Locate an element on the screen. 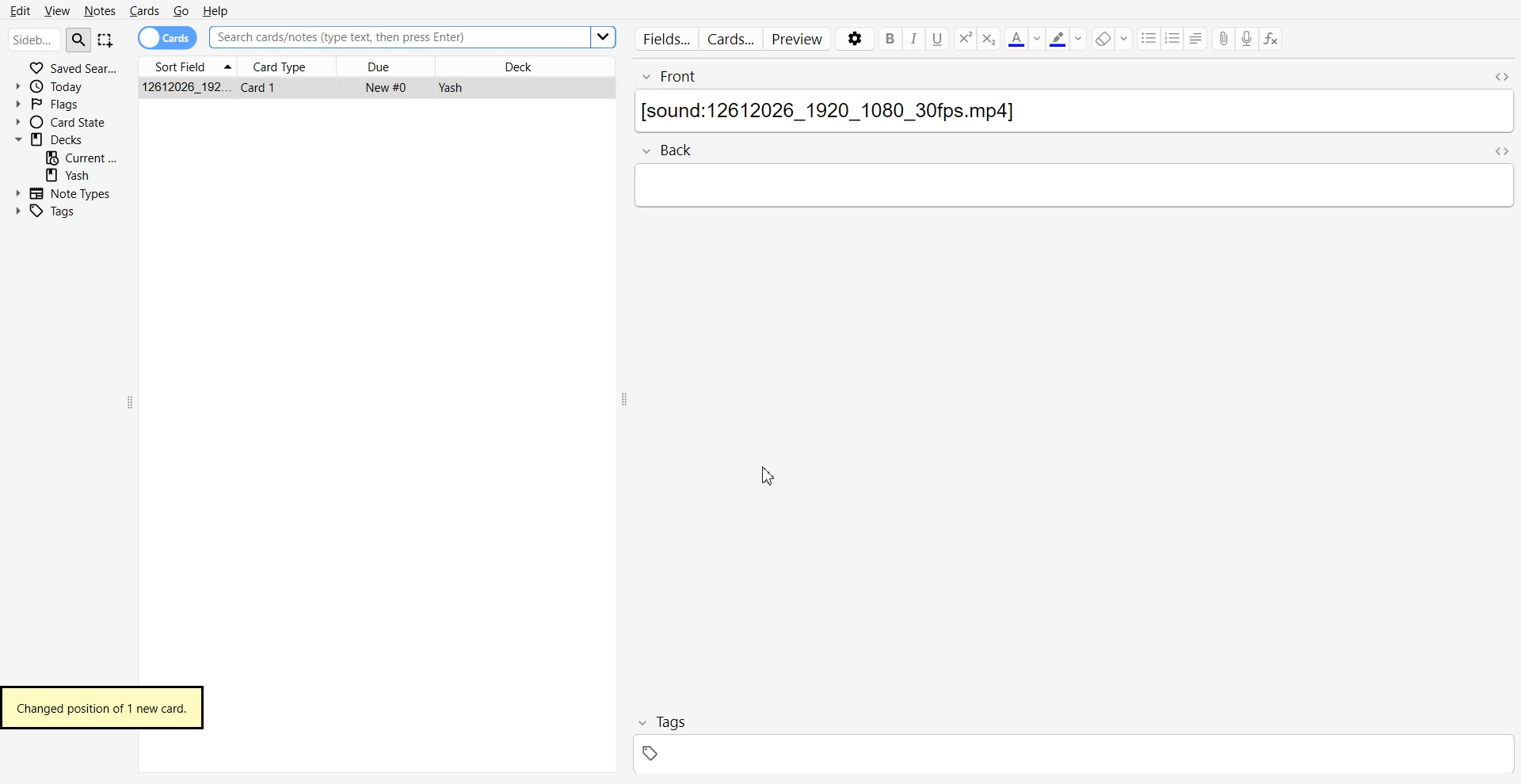  Yash is located at coordinates (449, 88).